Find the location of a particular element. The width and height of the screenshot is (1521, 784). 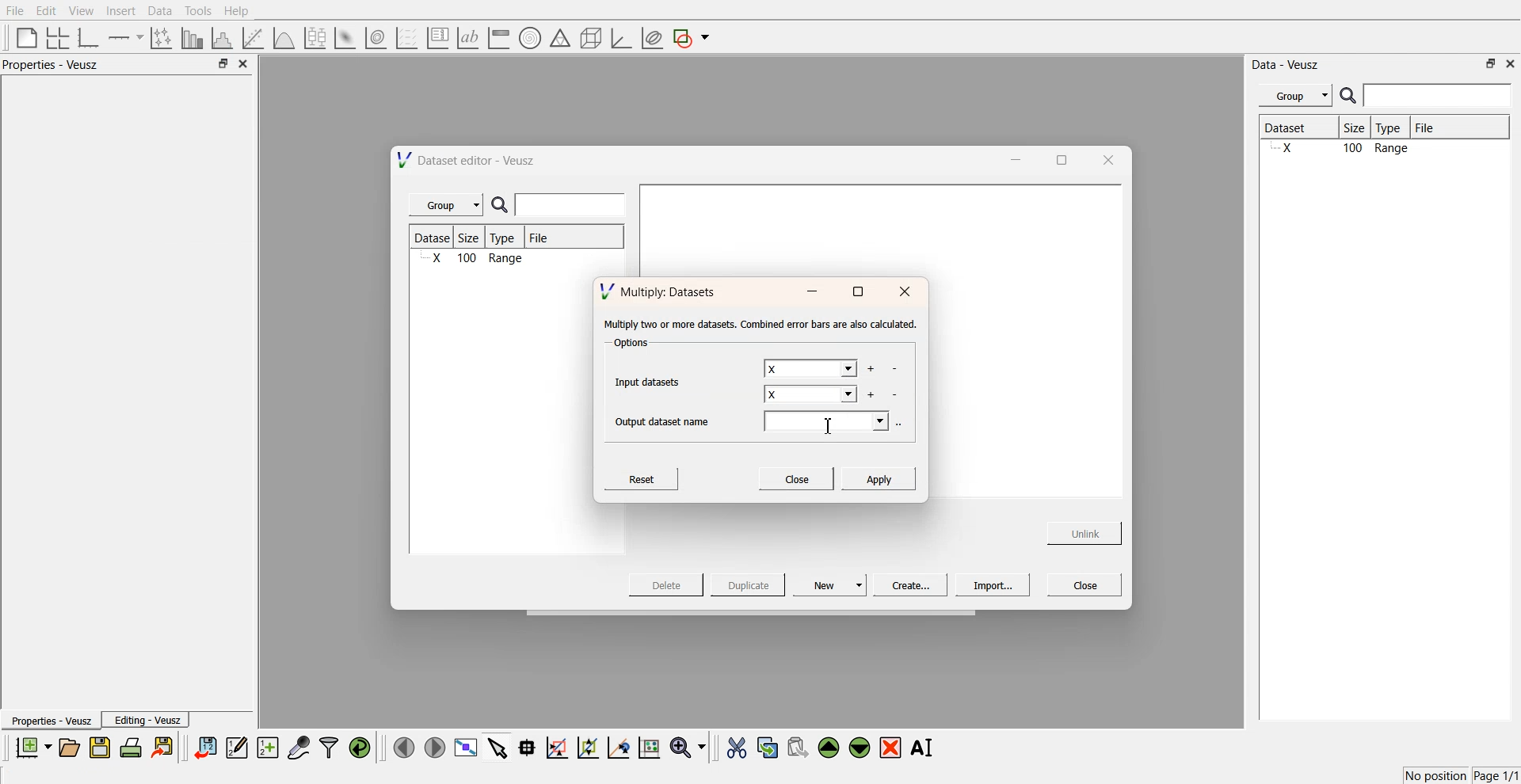

X is located at coordinates (809, 369).